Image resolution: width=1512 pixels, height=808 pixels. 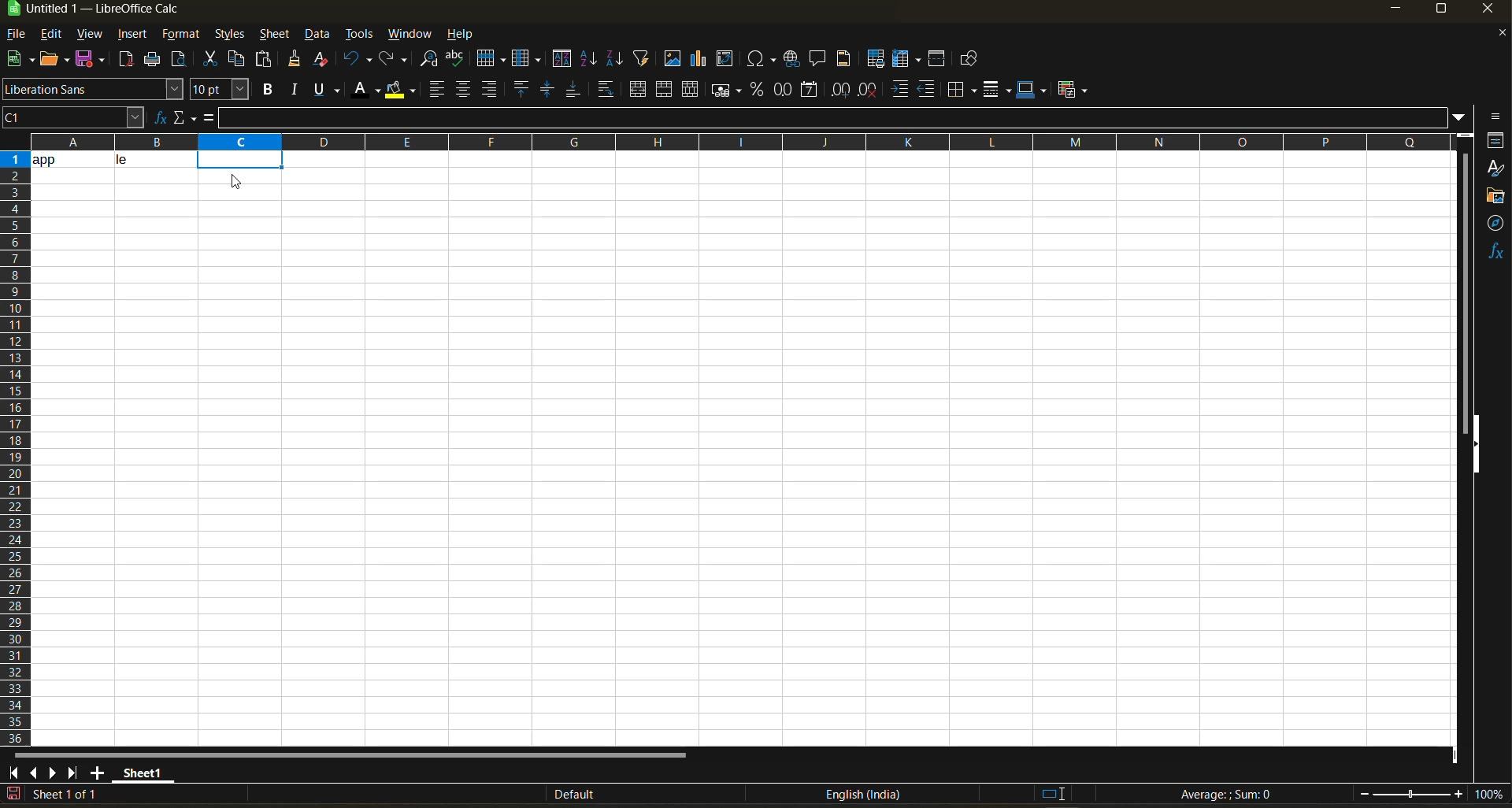 I want to click on copy, so click(x=239, y=59).